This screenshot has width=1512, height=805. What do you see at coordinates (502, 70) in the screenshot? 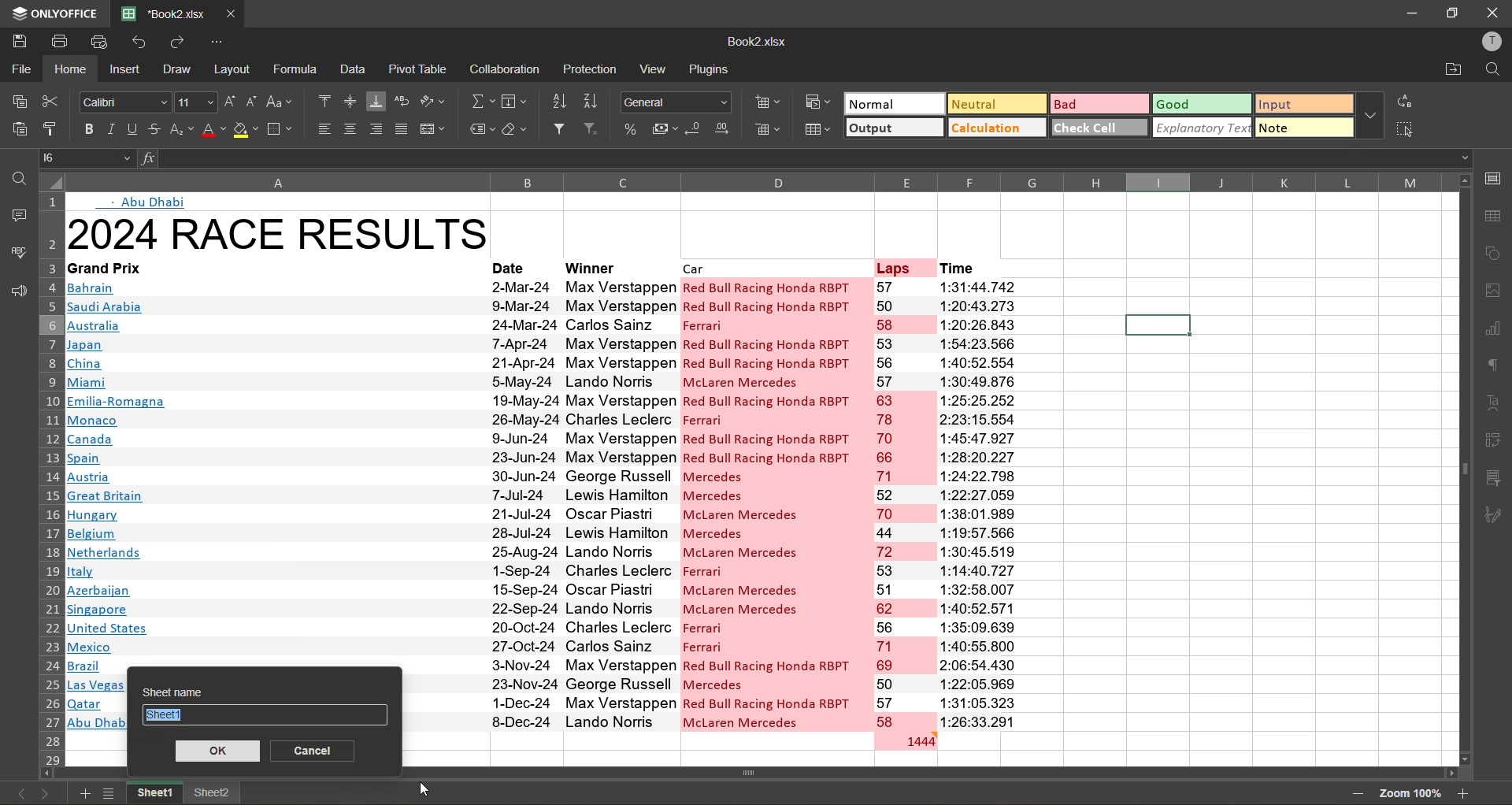
I see `collaboration` at bounding box center [502, 70].